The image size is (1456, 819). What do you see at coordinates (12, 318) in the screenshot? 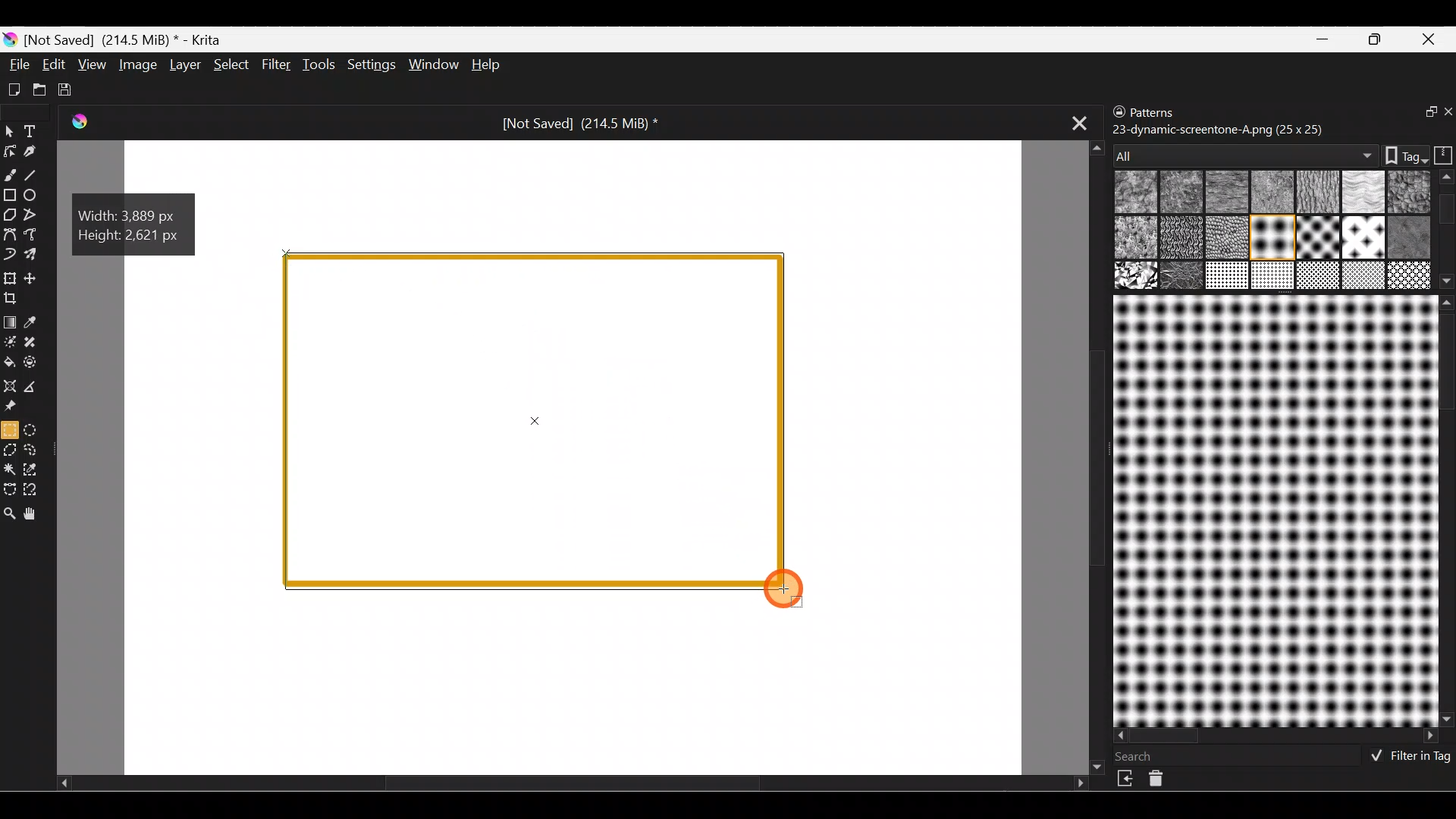
I see `Draw a gradient` at bounding box center [12, 318].